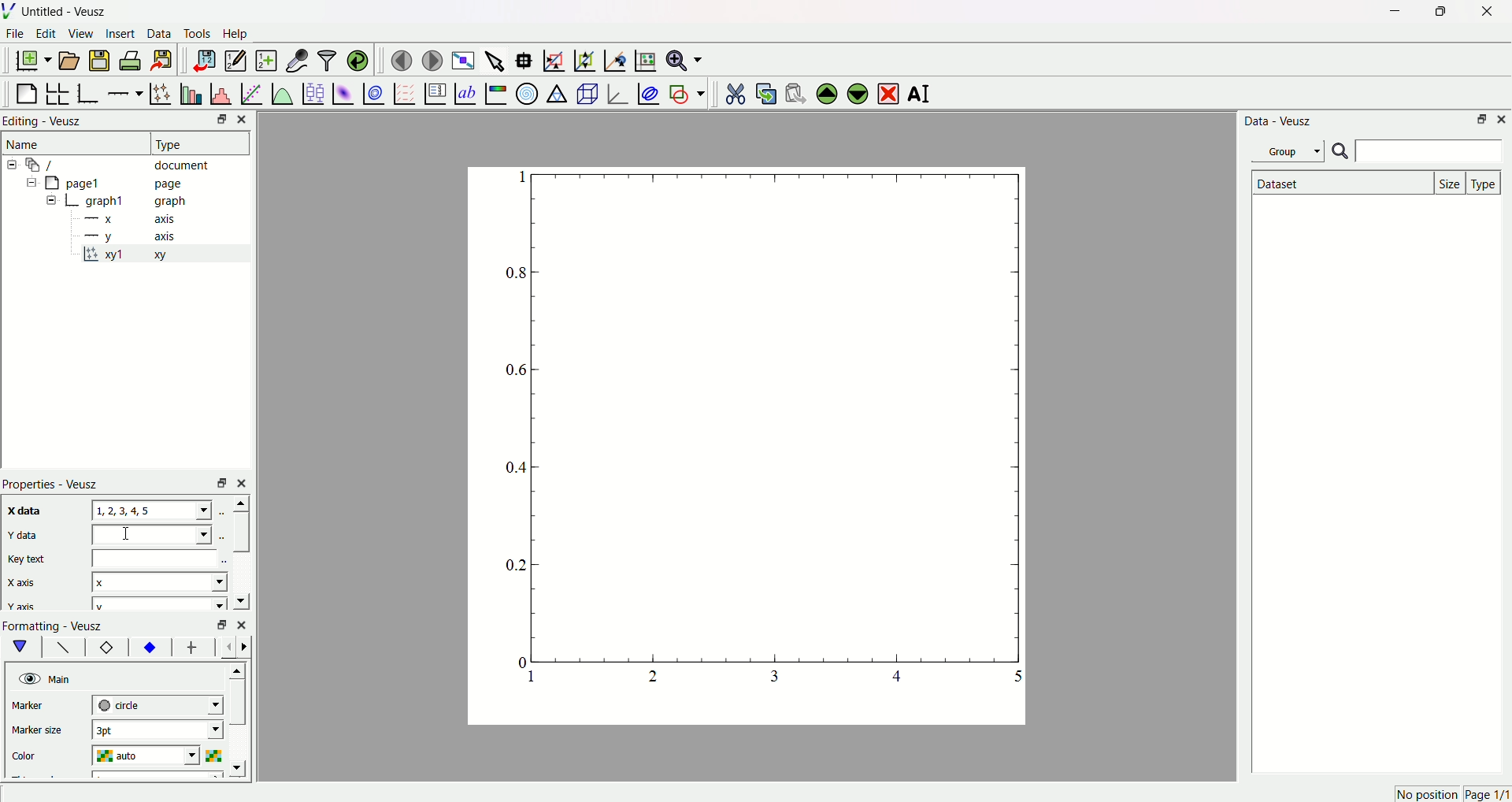  I want to click on add a shape , so click(686, 93).